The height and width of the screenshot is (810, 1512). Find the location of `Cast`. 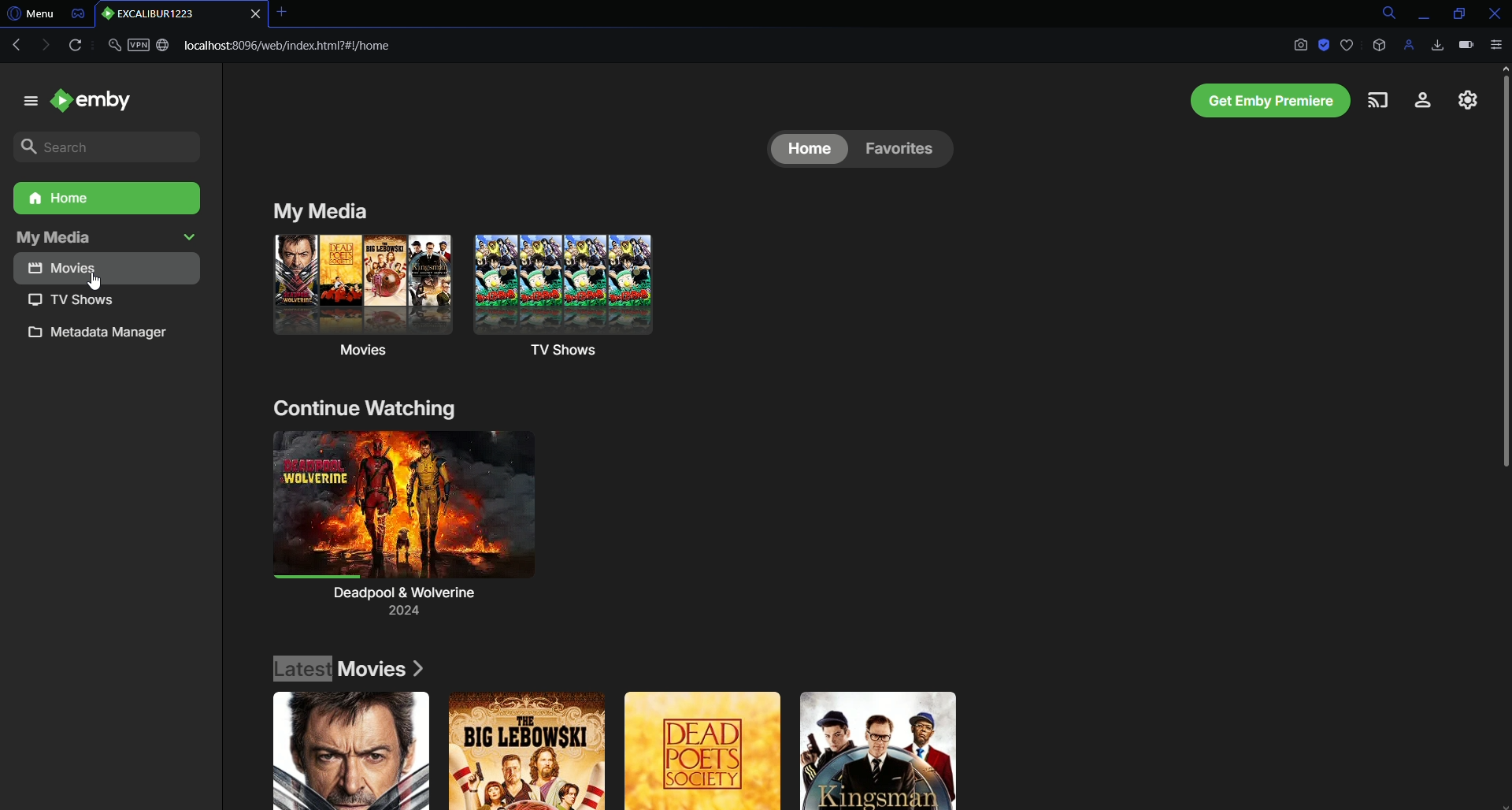

Cast is located at coordinates (1377, 100).